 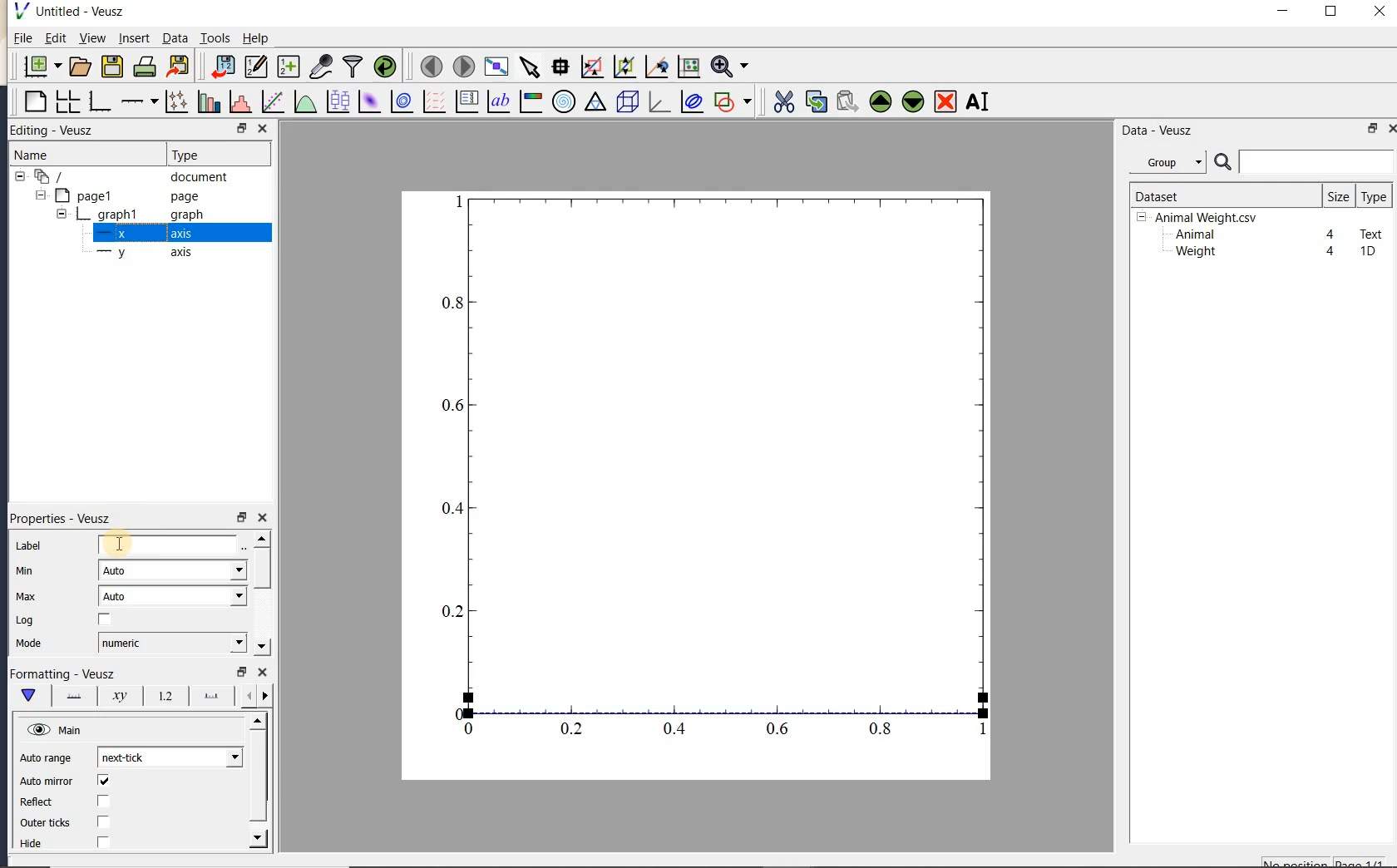 I want to click on copy the selected widget, so click(x=814, y=101).